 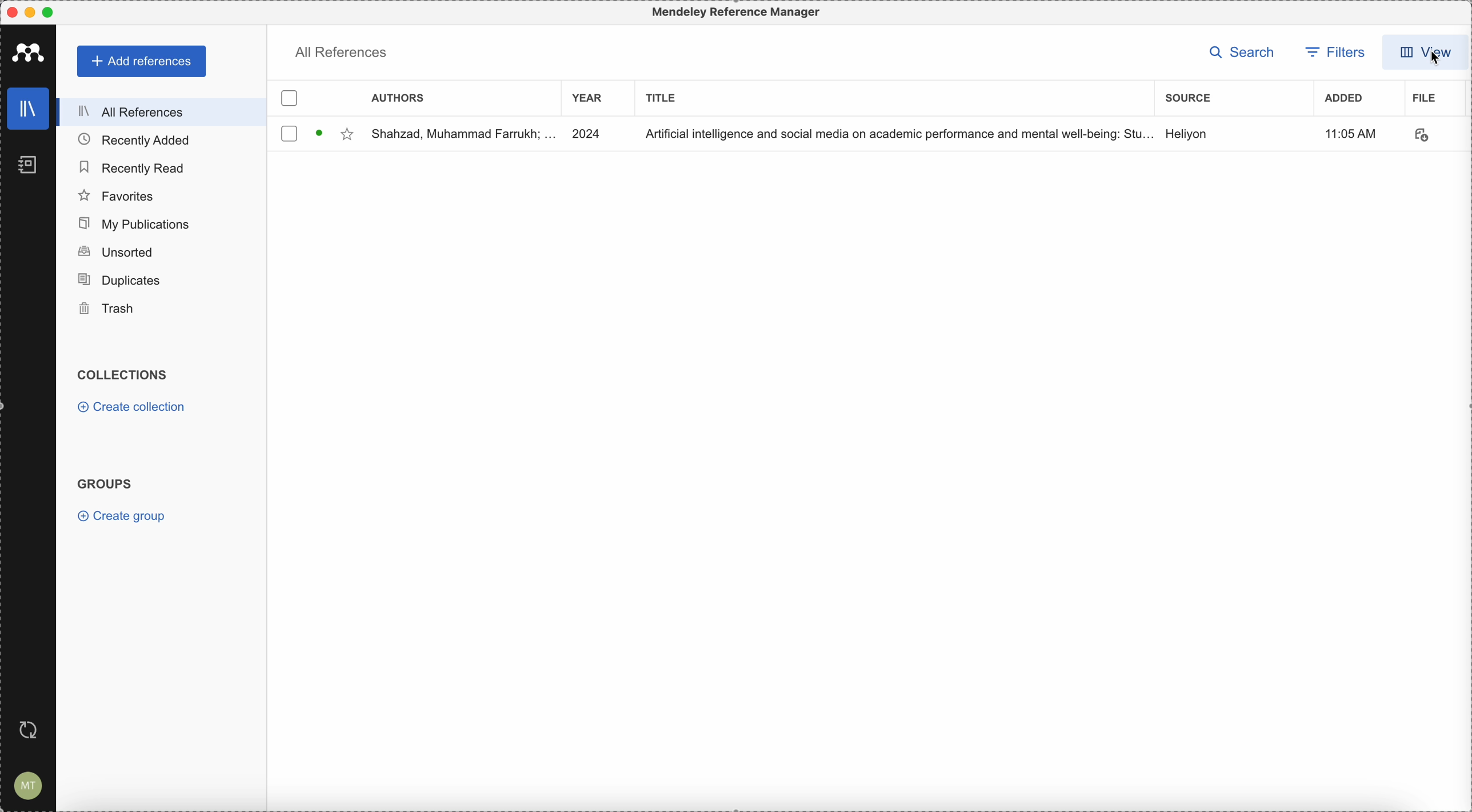 What do you see at coordinates (1426, 96) in the screenshot?
I see `file` at bounding box center [1426, 96].